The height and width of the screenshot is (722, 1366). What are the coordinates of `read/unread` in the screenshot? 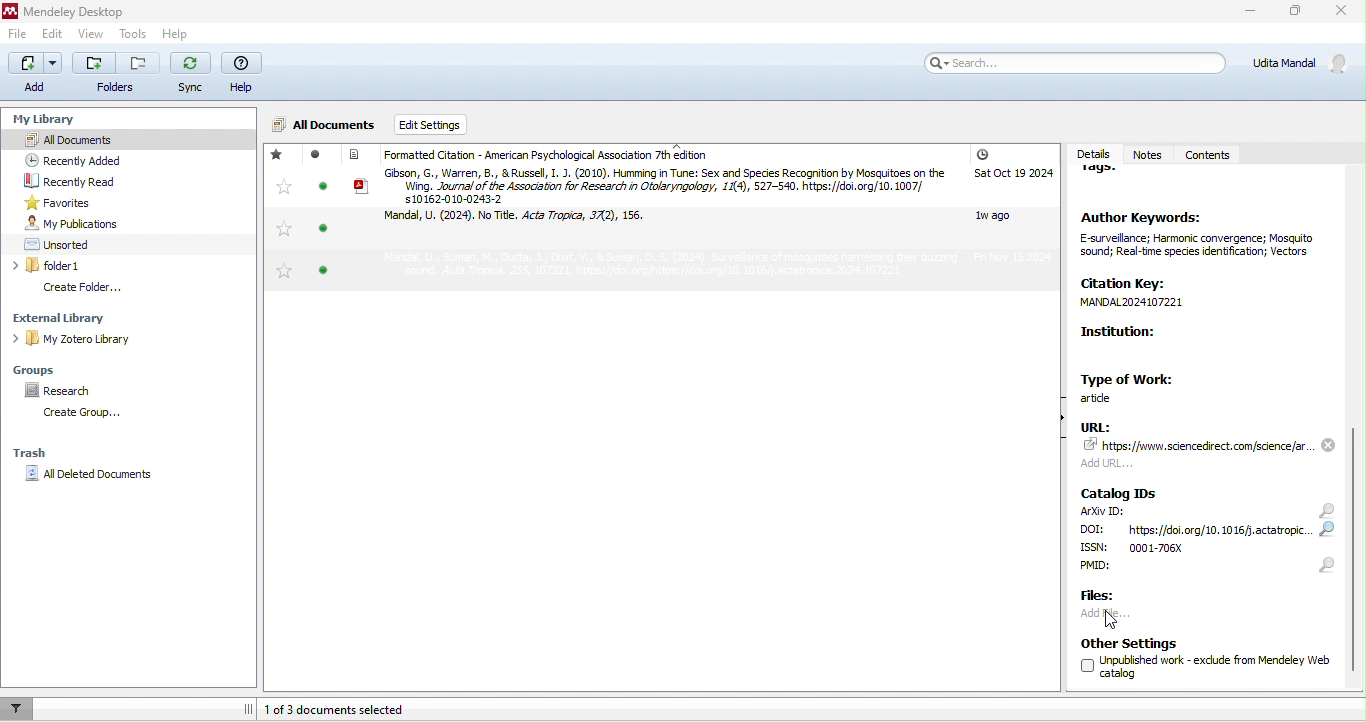 It's located at (319, 219).